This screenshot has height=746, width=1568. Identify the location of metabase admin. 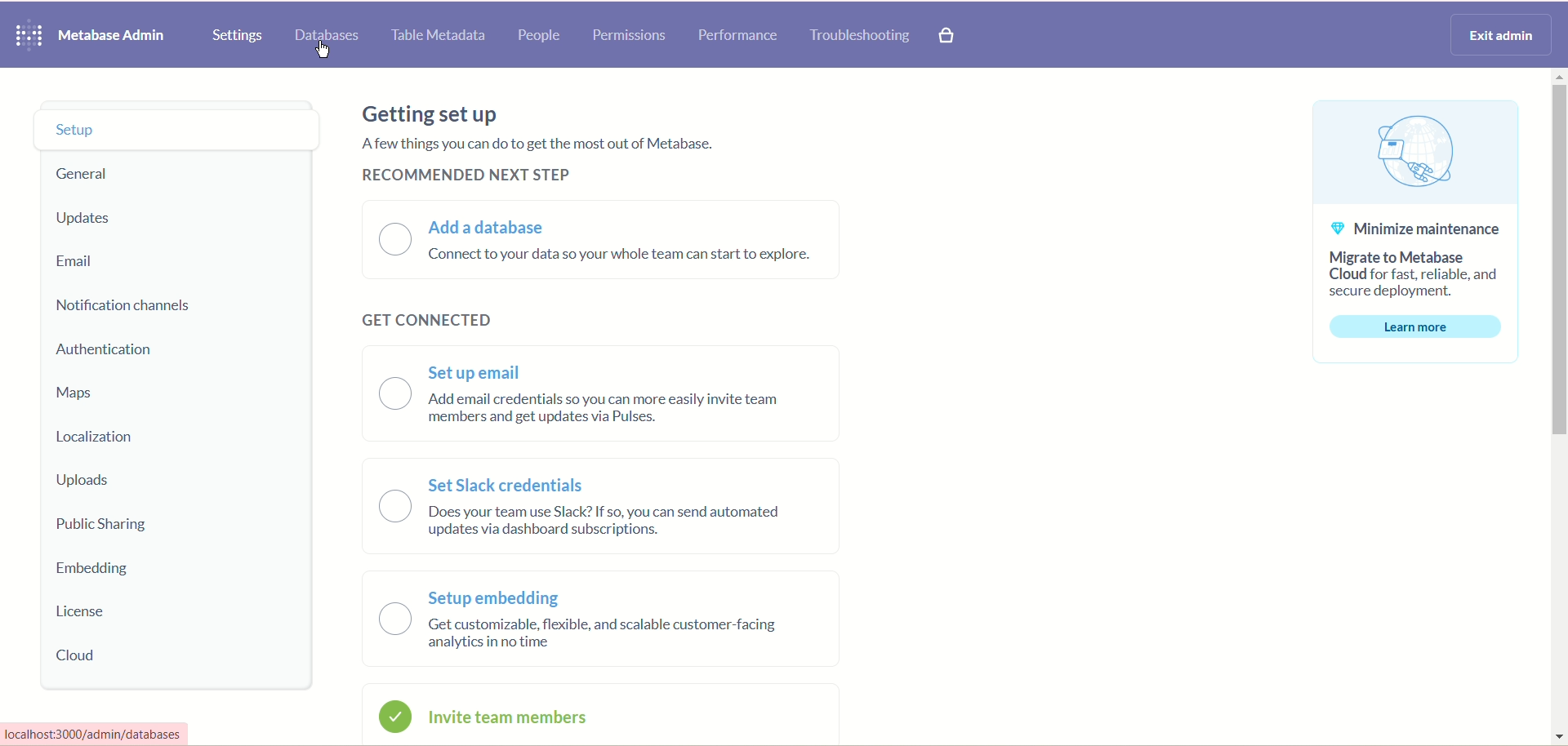
(114, 35).